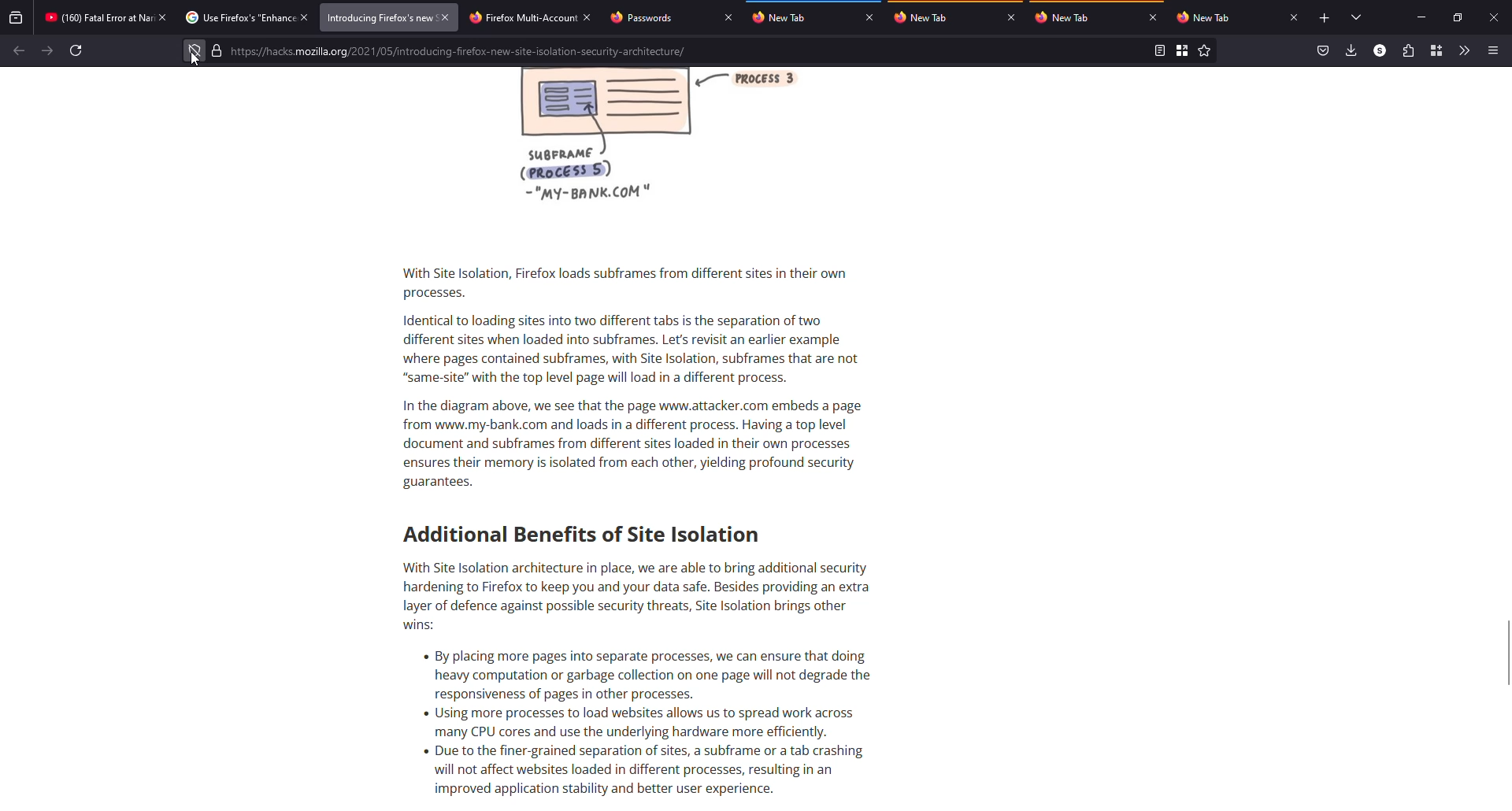 The width and height of the screenshot is (1512, 811). What do you see at coordinates (1321, 50) in the screenshot?
I see `save to packet` at bounding box center [1321, 50].